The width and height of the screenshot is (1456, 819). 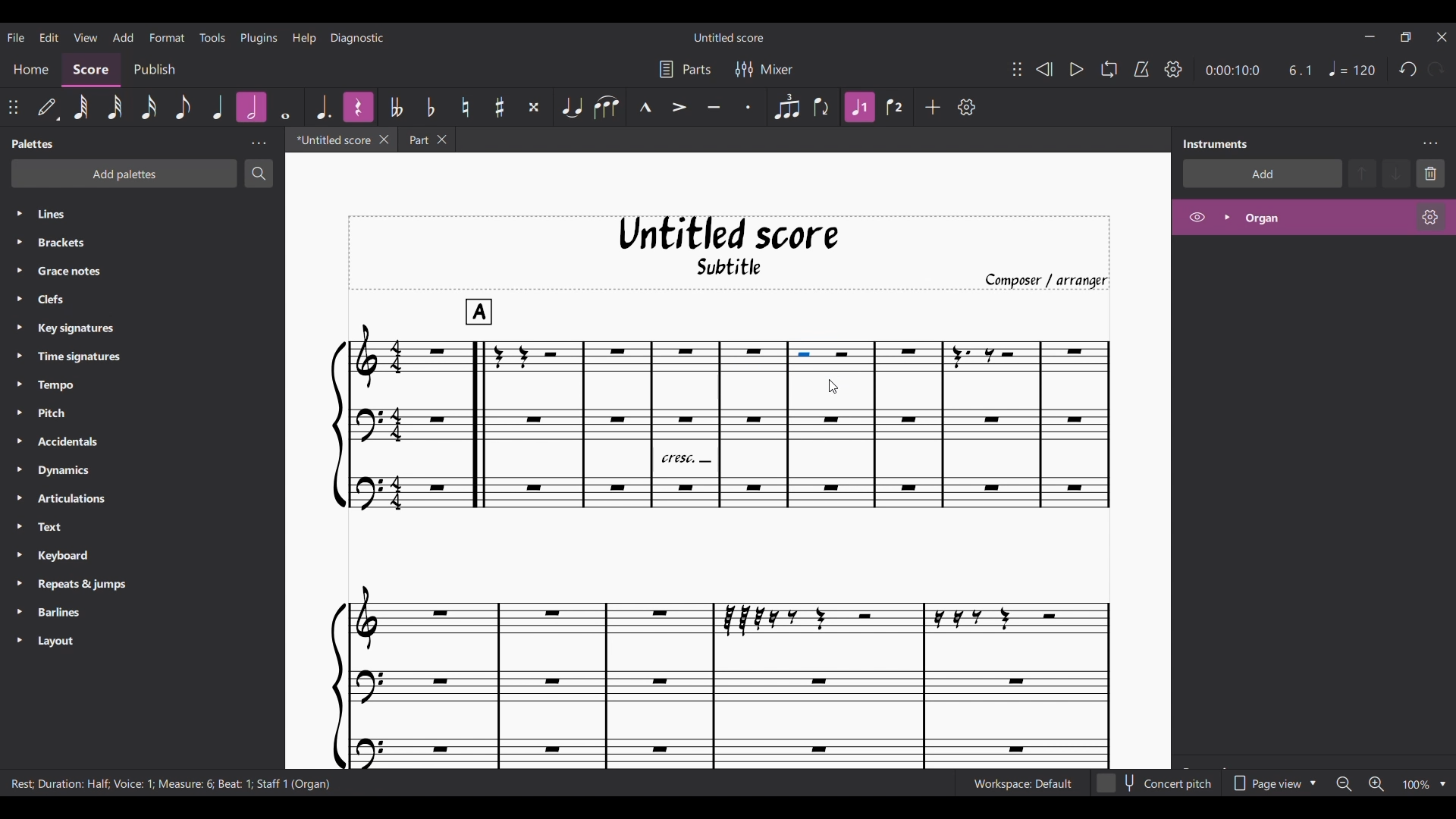 I want to click on 32nd note, so click(x=115, y=108).